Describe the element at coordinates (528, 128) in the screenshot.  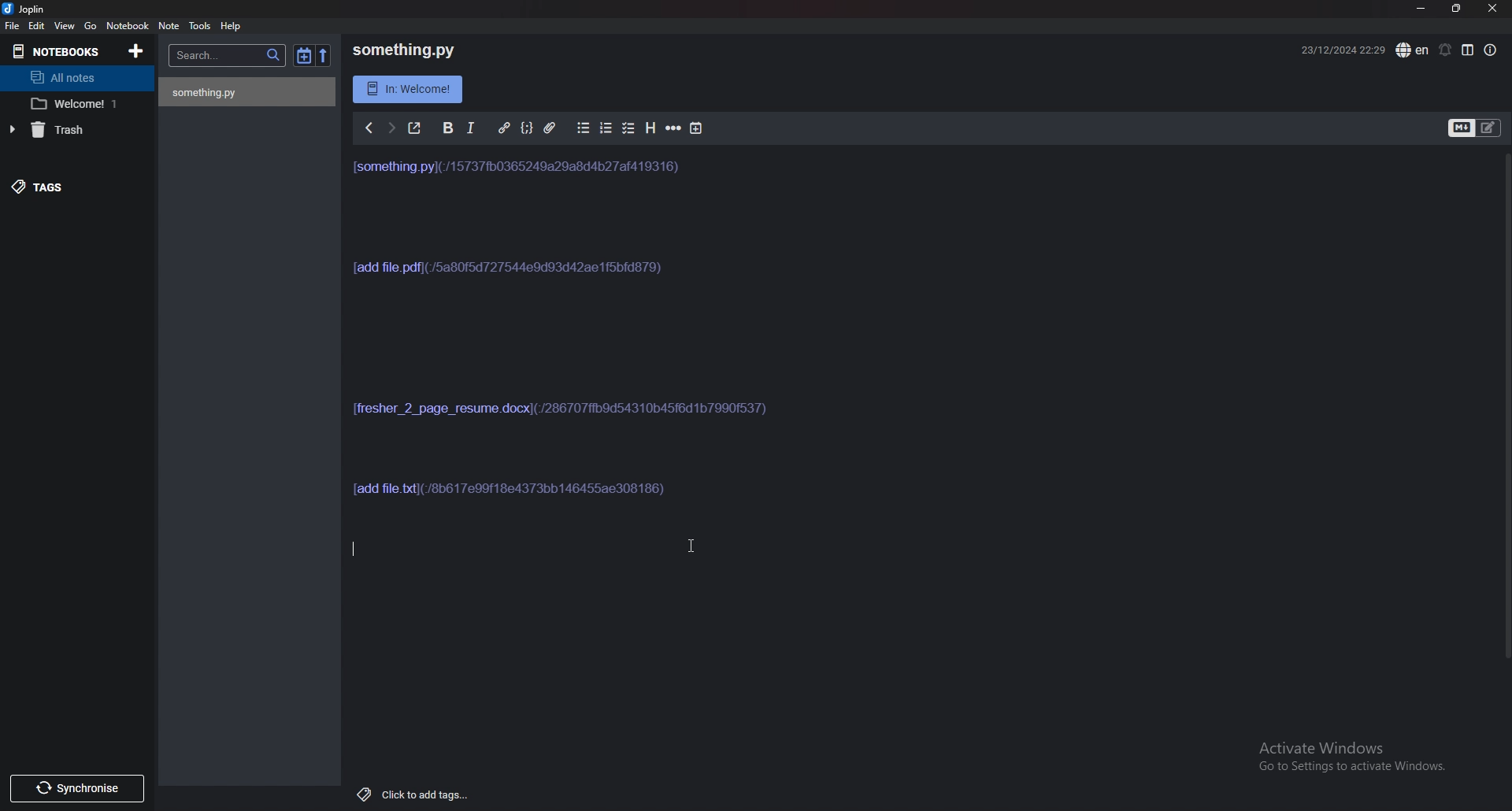
I see `Code` at that location.